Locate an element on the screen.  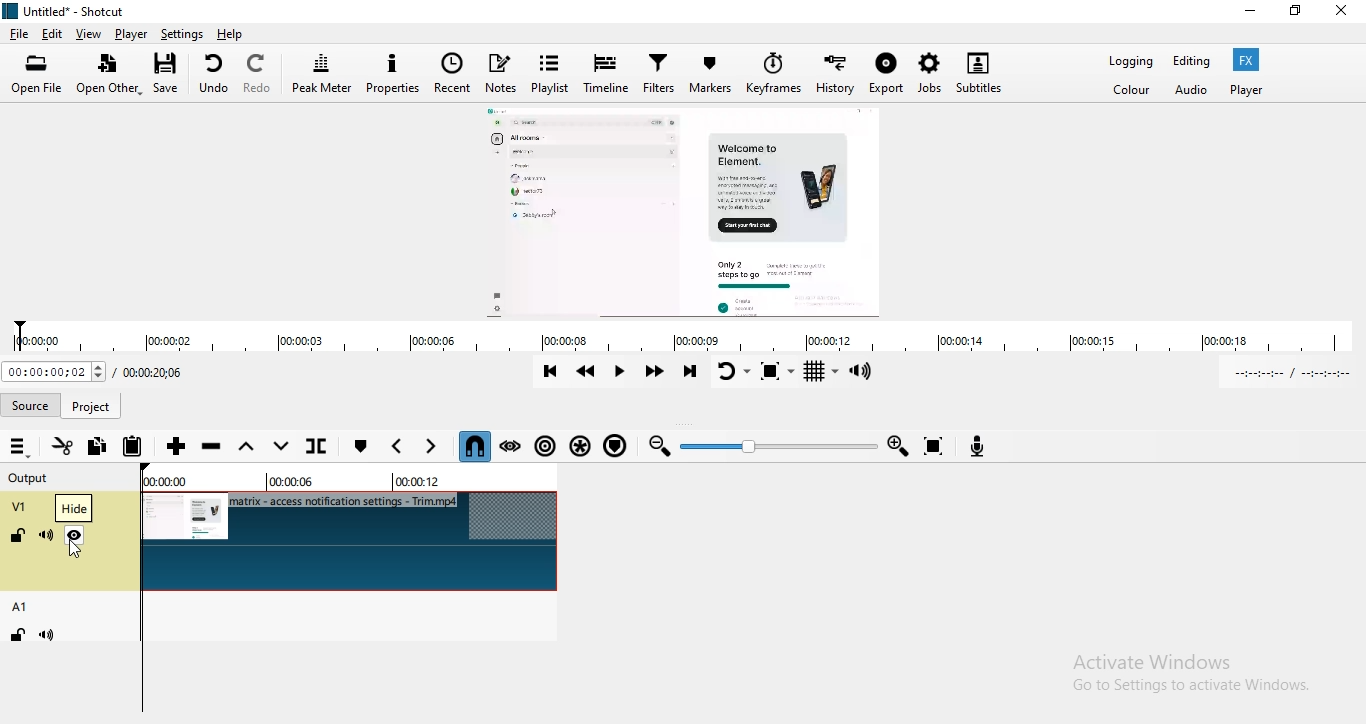
Properties is located at coordinates (393, 75).